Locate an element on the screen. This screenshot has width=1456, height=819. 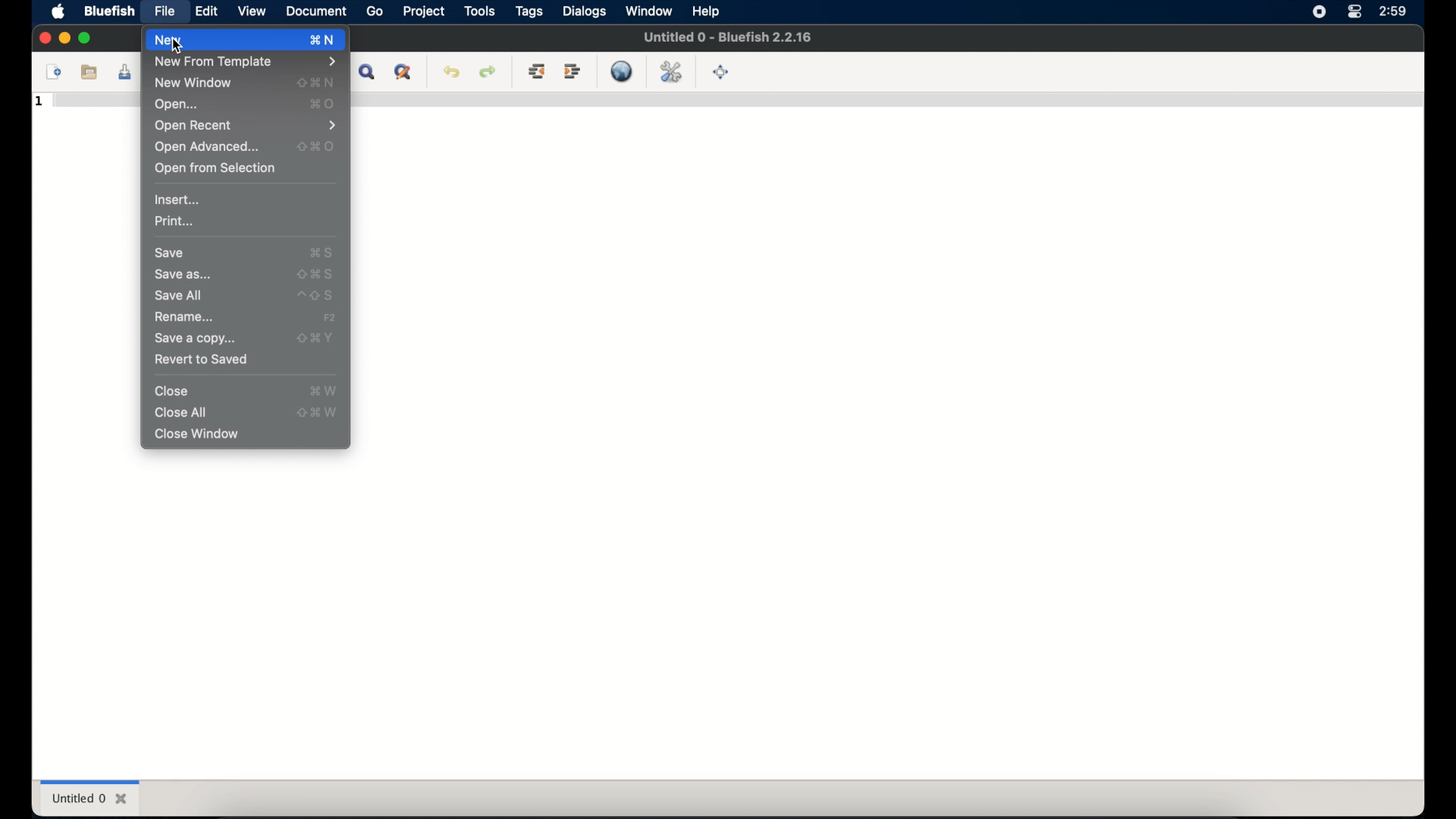
save all is located at coordinates (179, 295).